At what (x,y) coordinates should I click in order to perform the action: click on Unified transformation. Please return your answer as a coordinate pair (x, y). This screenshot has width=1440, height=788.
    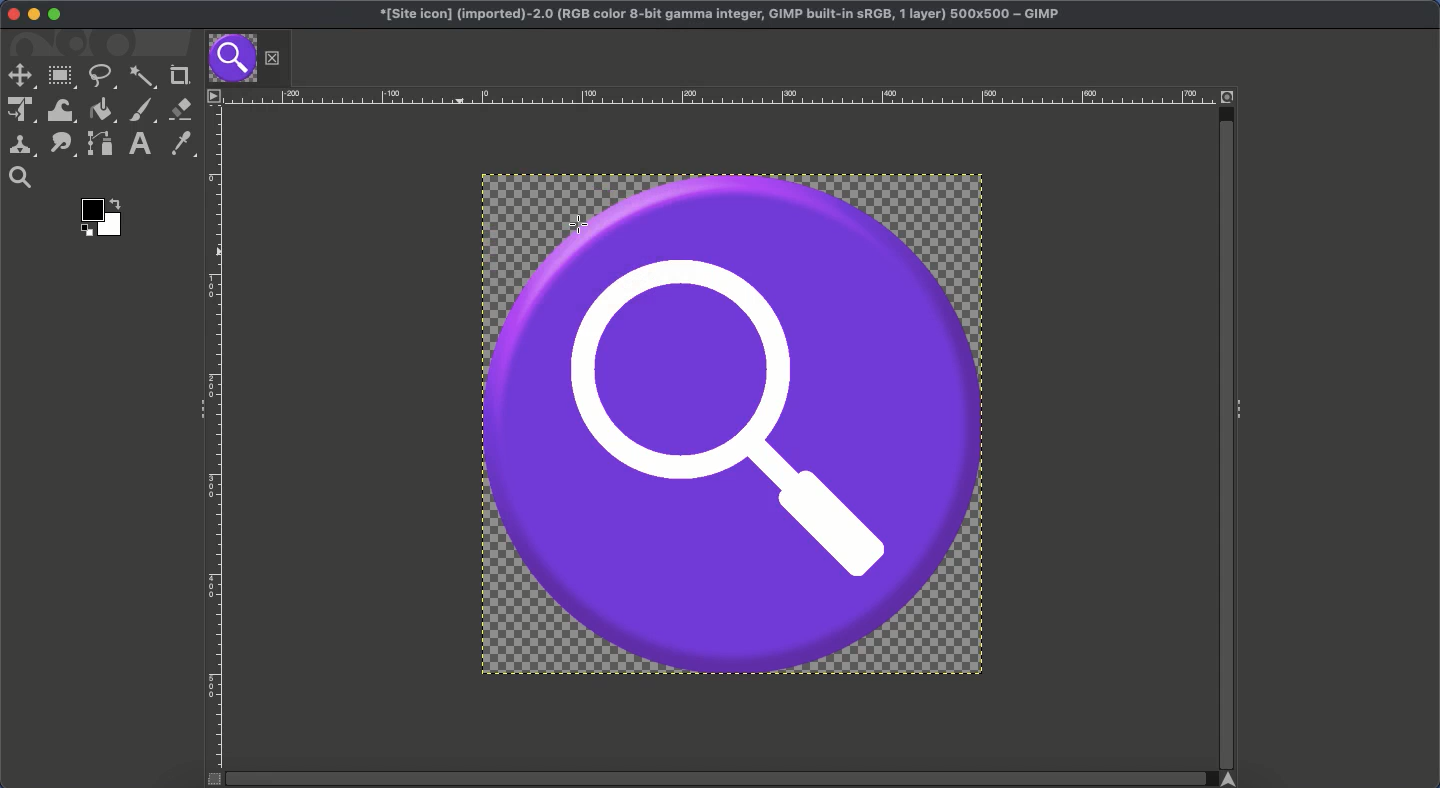
    Looking at the image, I should click on (17, 111).